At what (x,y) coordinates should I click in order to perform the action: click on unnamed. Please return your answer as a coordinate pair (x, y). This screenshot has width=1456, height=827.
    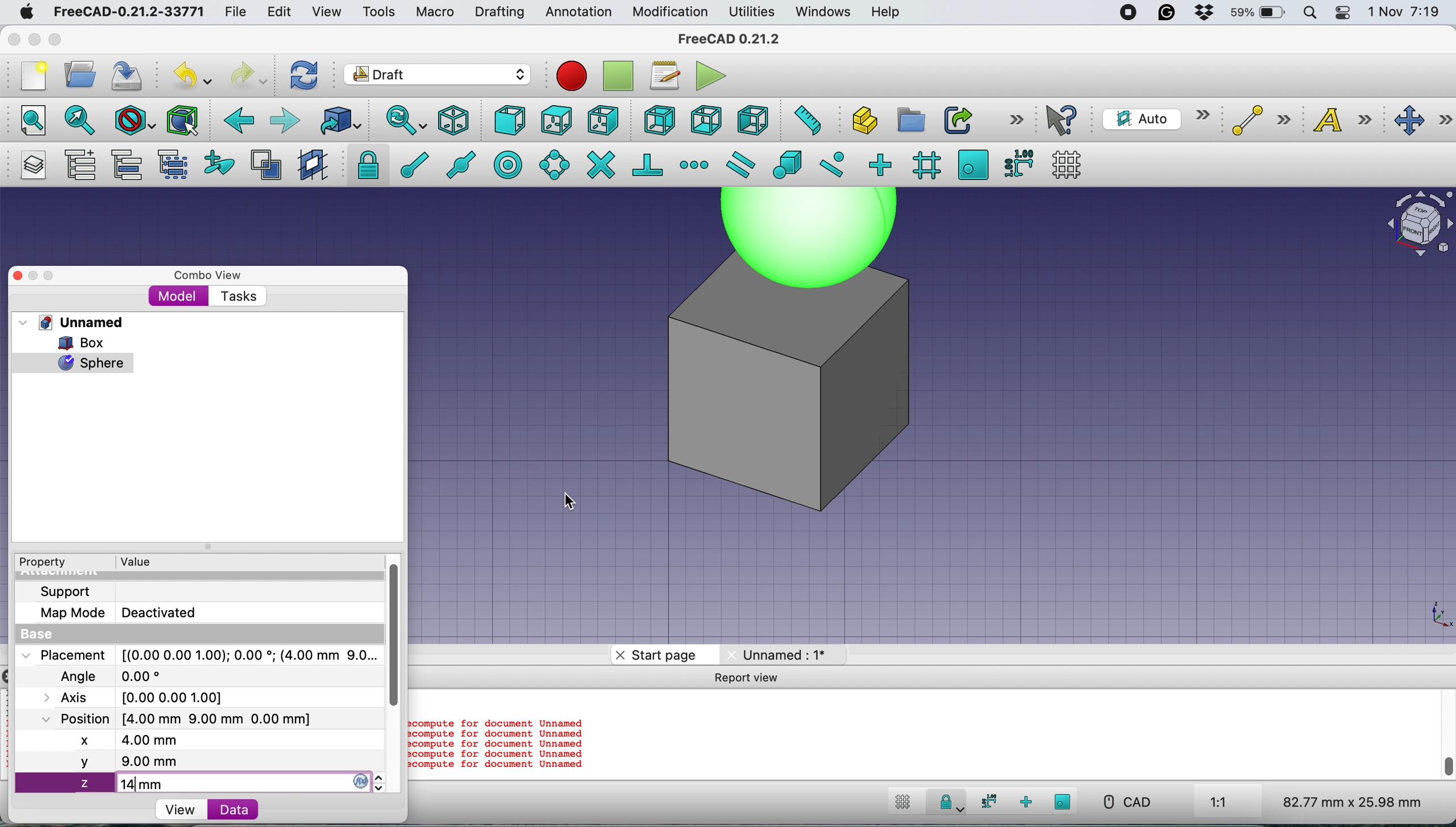
    Looking at the image, I should click on (783, 654).